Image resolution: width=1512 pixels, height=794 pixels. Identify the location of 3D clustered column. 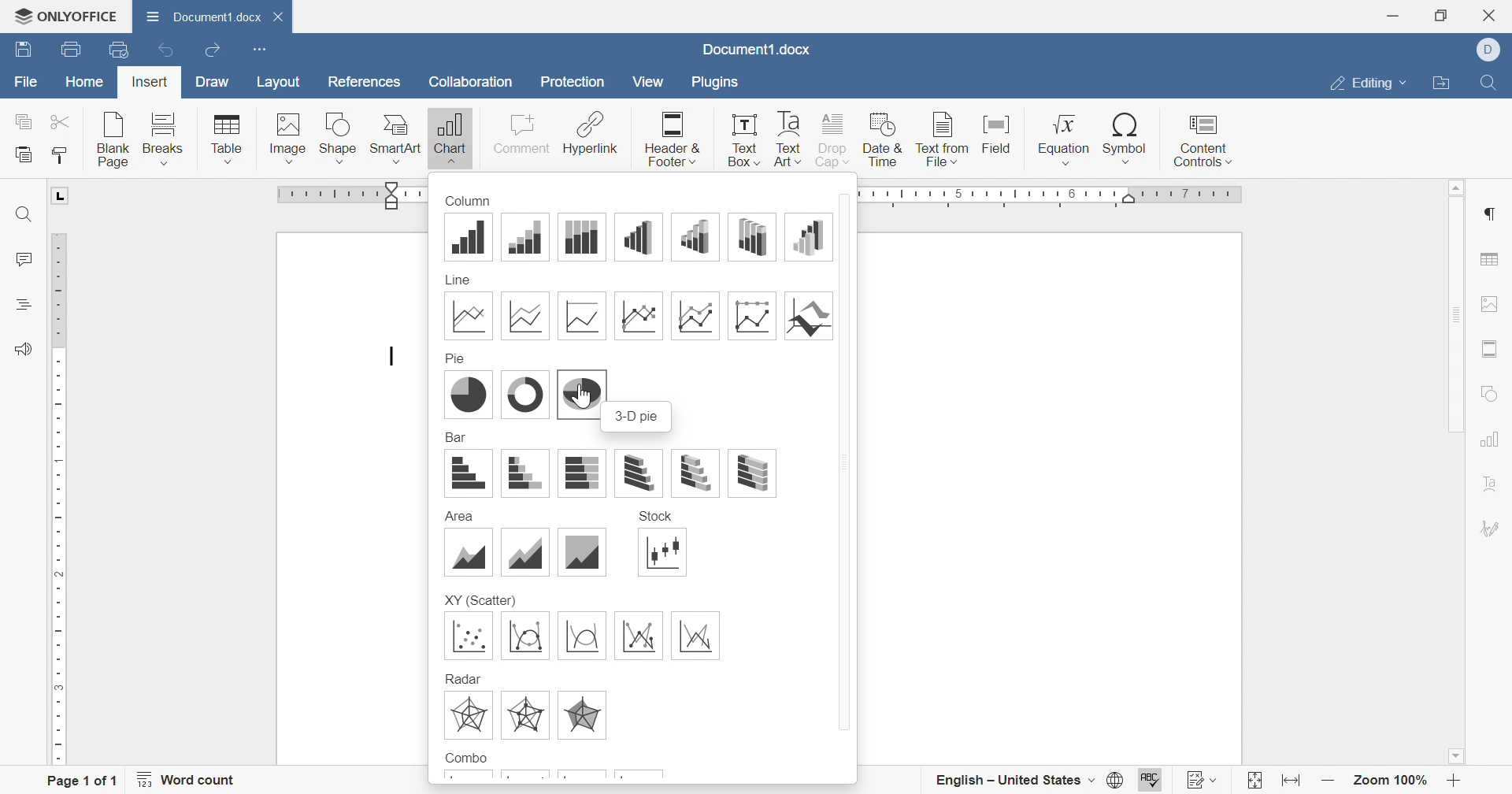
(638, 237).